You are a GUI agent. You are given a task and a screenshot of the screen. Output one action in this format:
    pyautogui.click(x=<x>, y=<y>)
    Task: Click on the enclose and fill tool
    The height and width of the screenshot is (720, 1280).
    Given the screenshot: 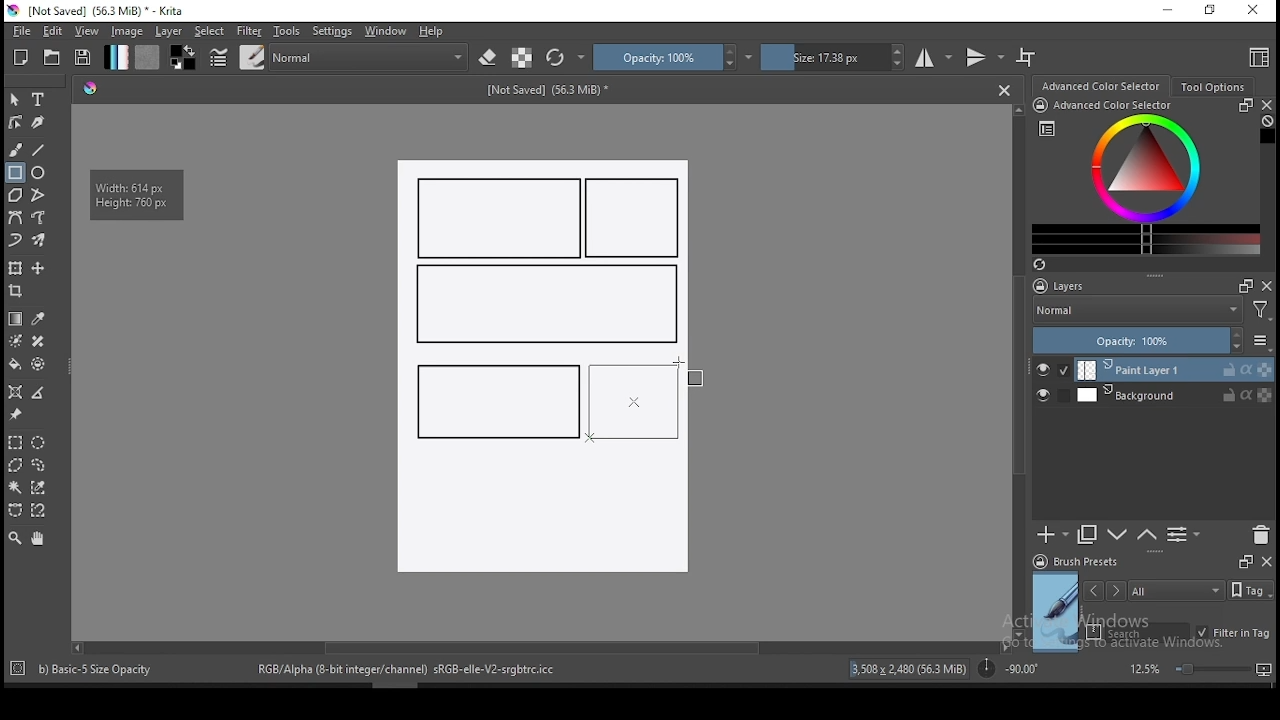 What is the action you would take?
    pyautogui.click(x=38, y=364)
    